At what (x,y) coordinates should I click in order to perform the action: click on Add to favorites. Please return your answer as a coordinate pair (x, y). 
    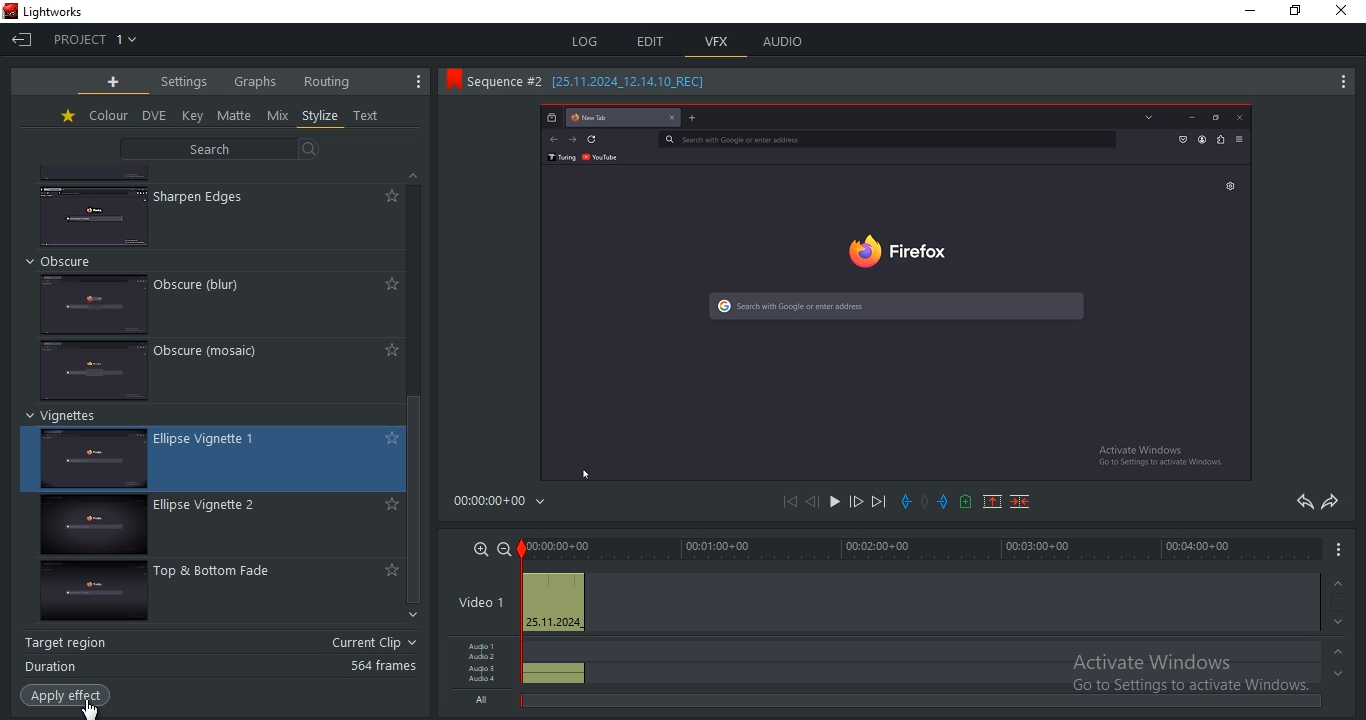
    Looking at the image, I should click on (388, 285).